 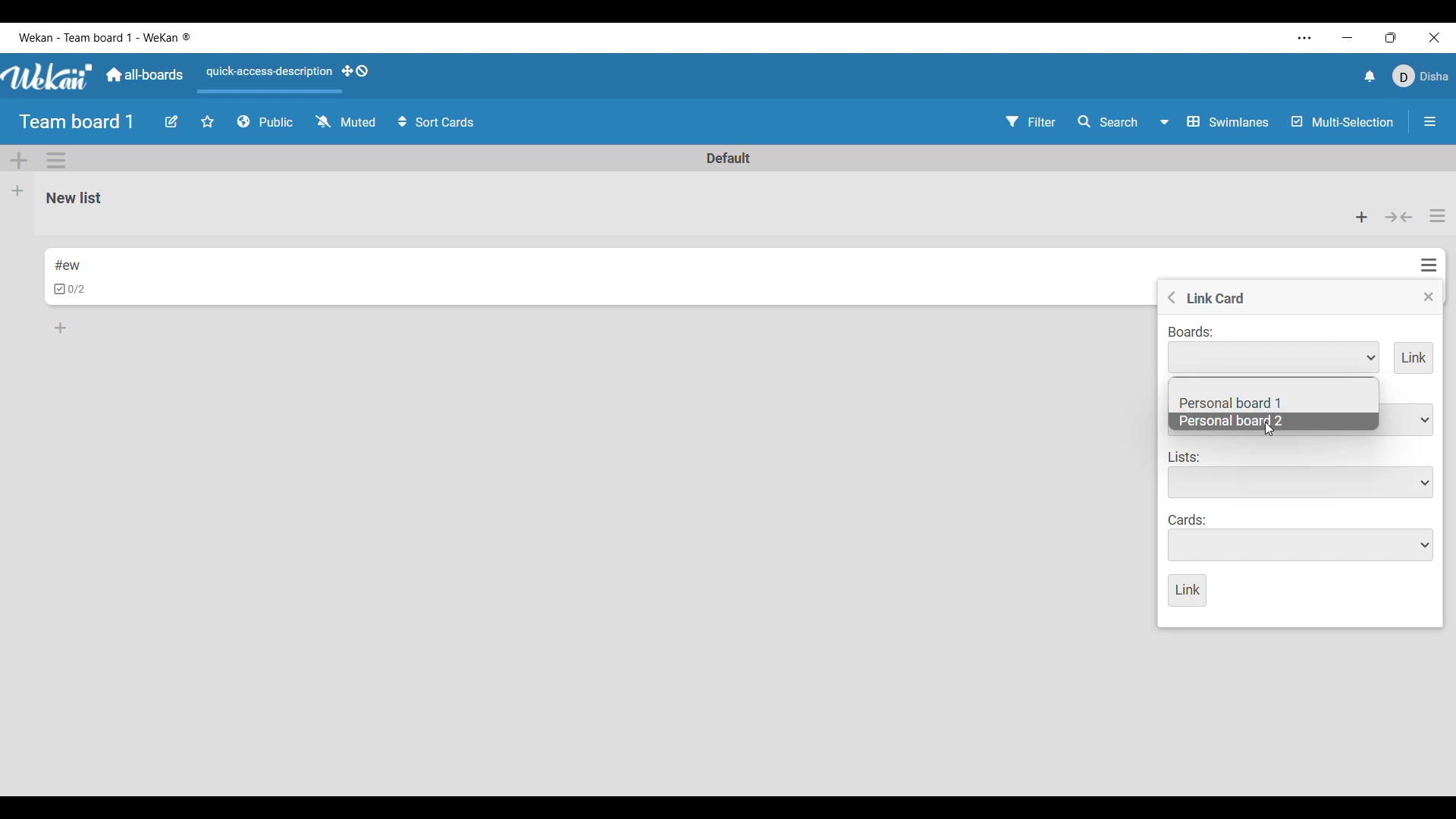 I want to click on Collapse, so click(x=1398, y=218).